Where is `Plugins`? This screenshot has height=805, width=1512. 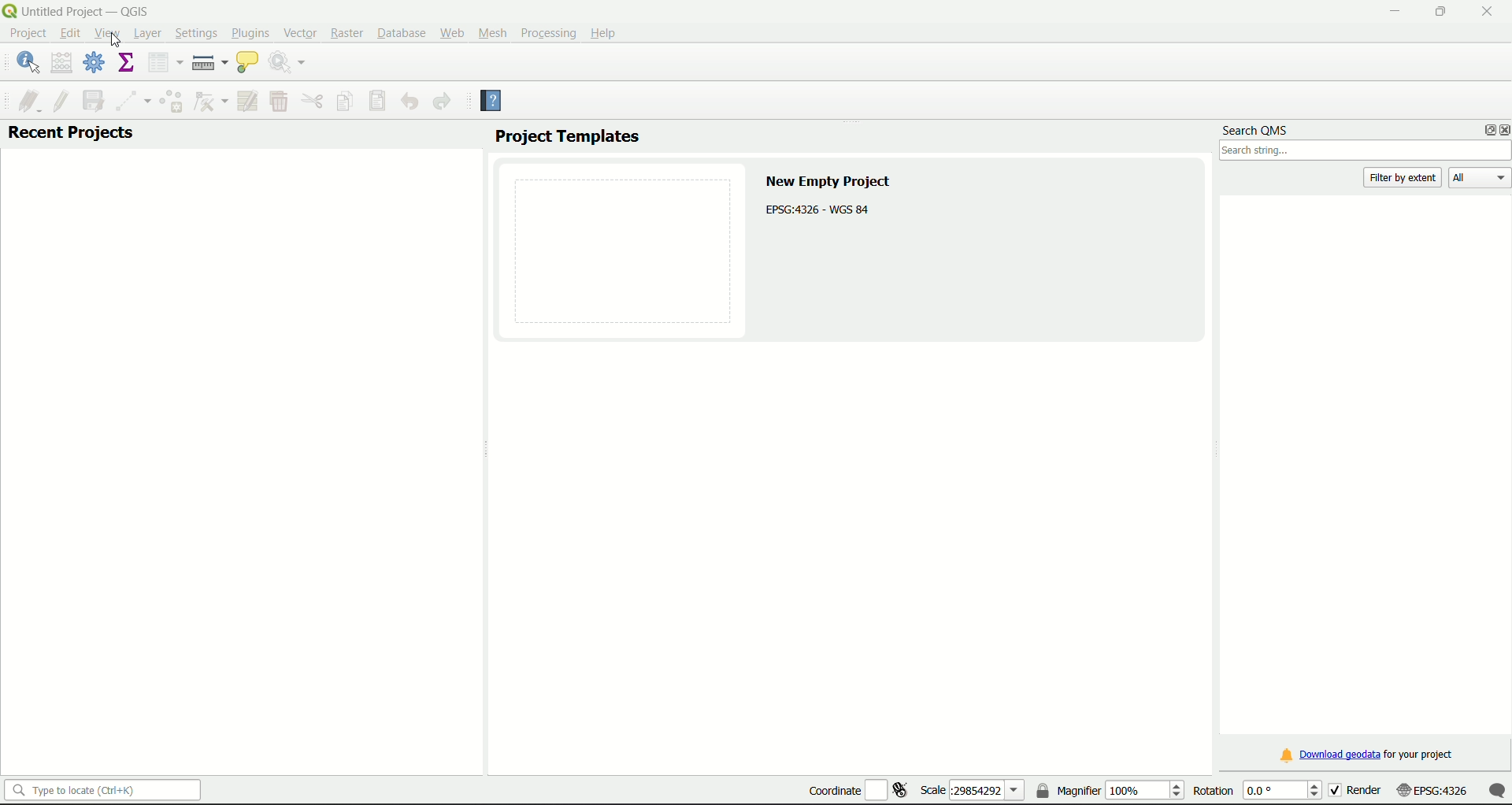
Plugins is located at coordinates (250, 33).